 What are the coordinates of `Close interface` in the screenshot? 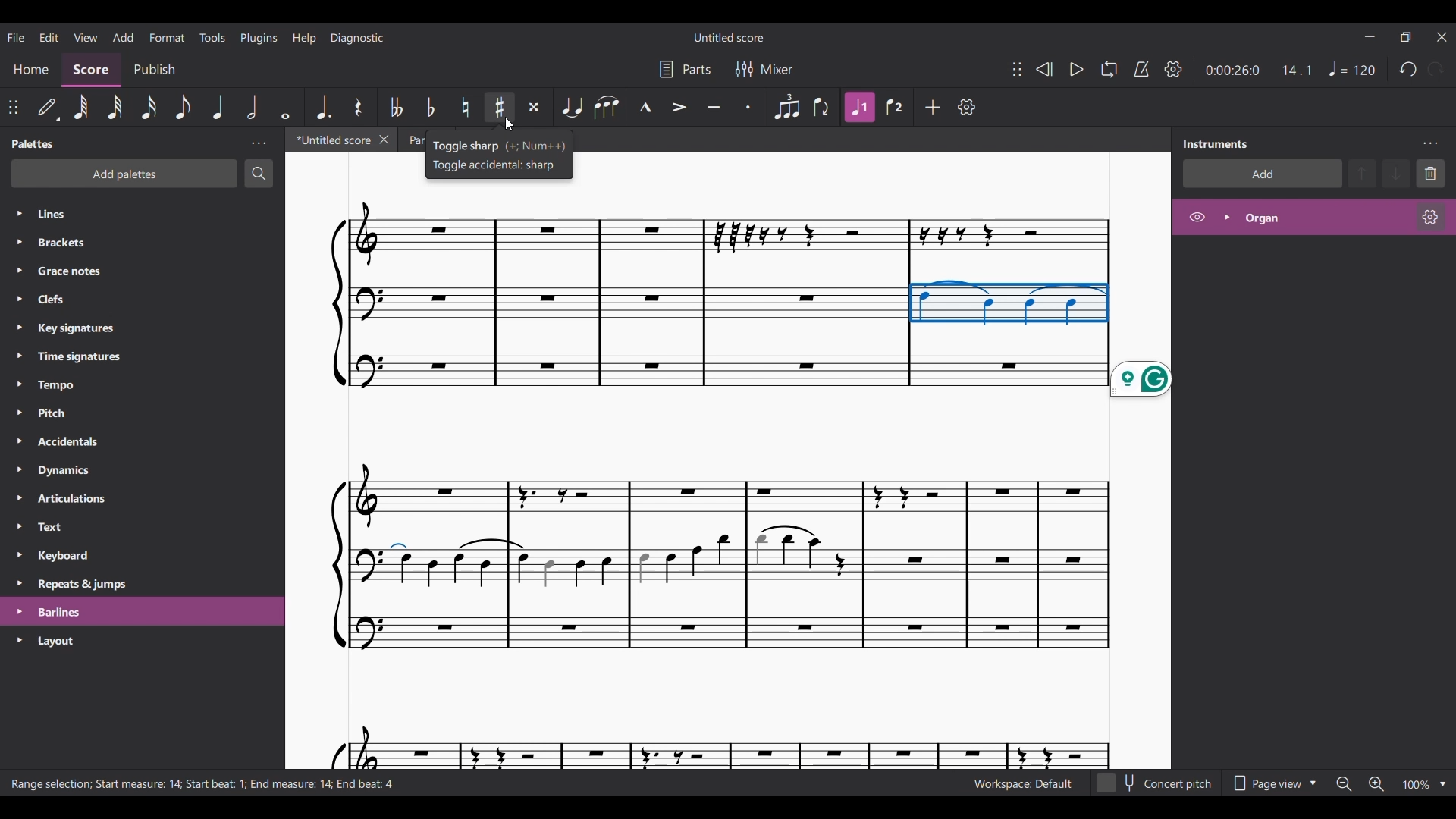 It's located at (1442, 36).